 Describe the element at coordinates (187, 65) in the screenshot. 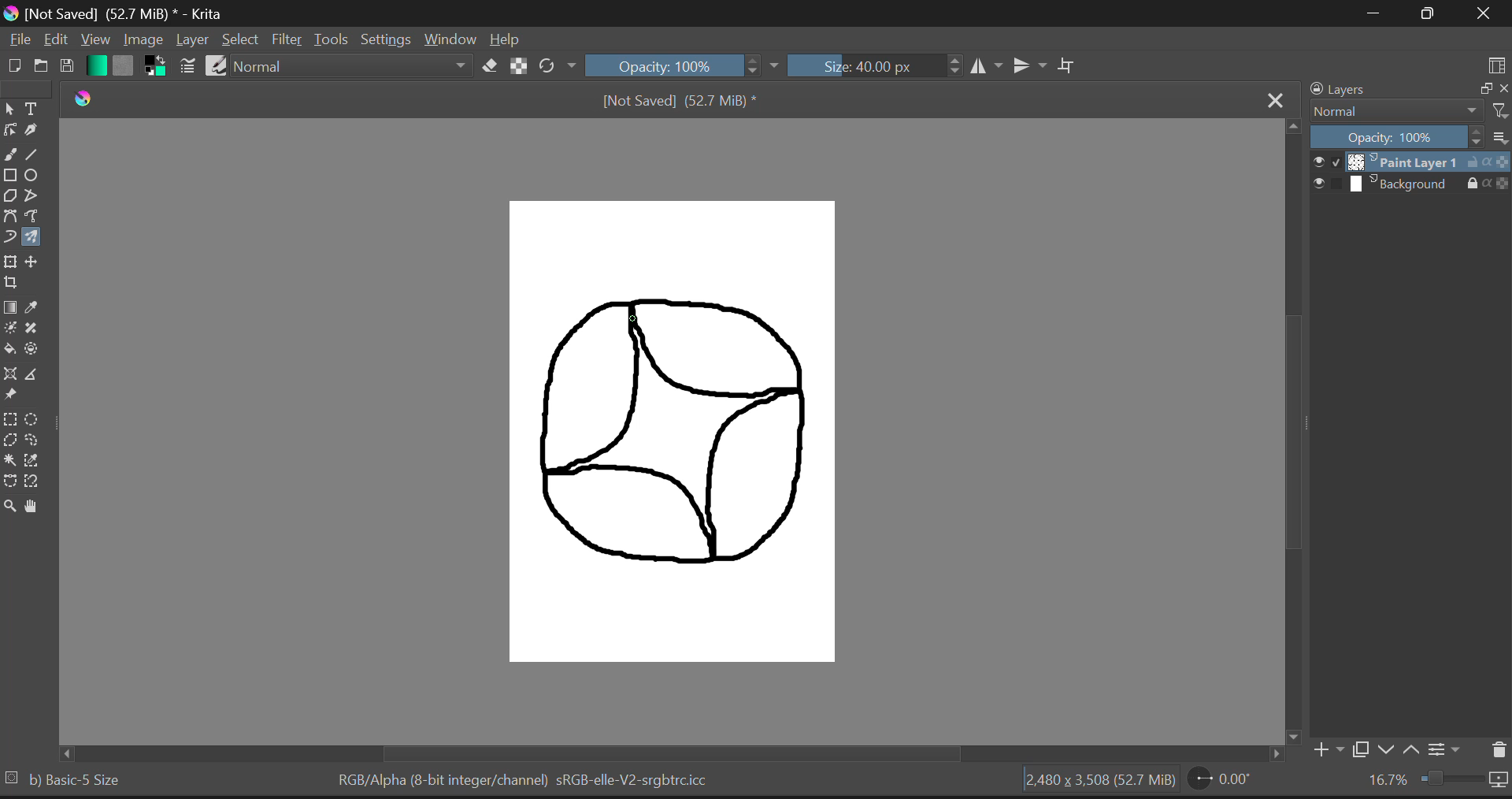

I see `Brush Settings` at that location.